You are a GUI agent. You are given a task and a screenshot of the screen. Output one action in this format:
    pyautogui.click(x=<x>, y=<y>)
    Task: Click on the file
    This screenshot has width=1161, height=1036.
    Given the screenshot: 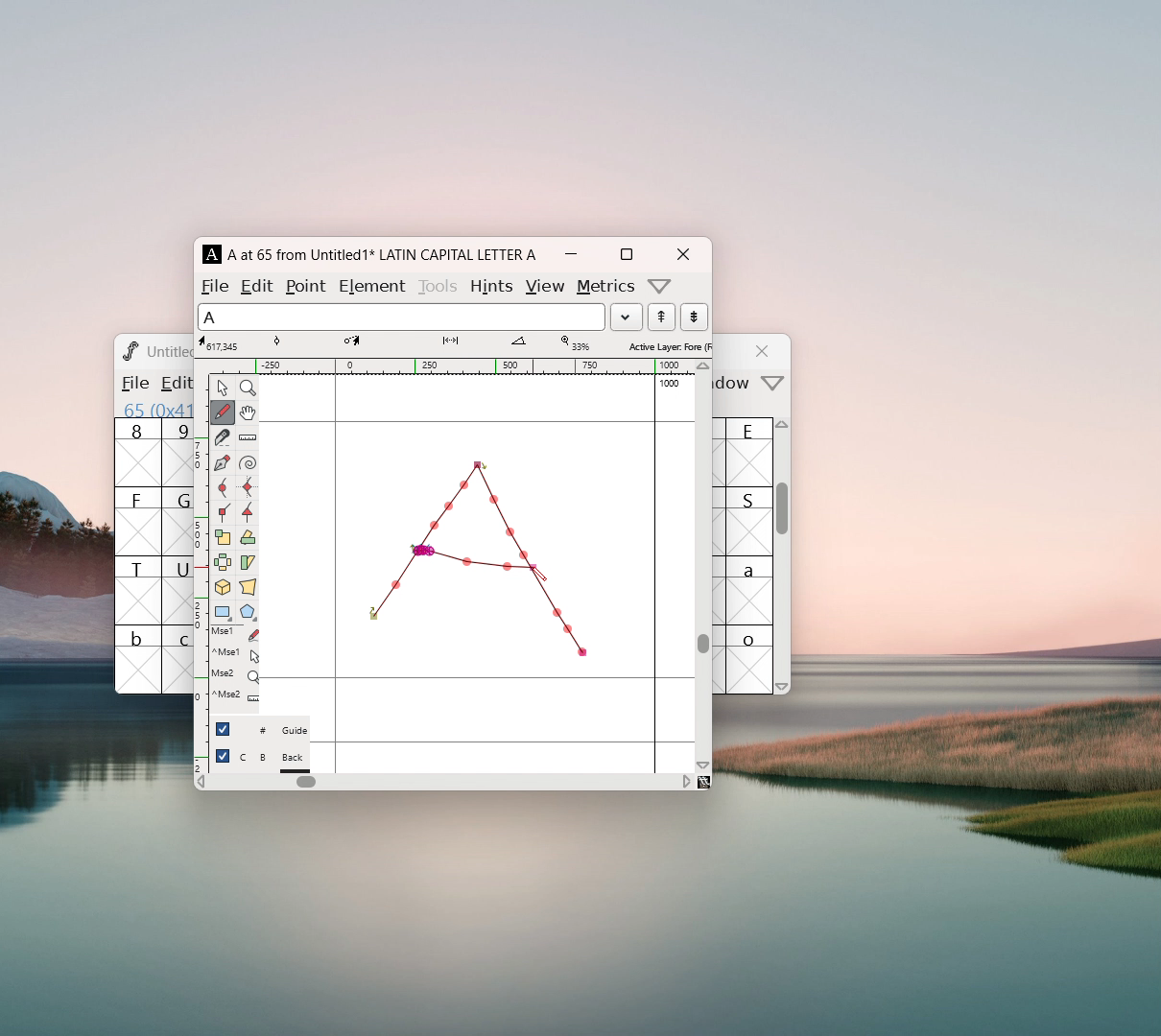 What is the action you would take?
    pyautogui.click(x=215, y=286)
    